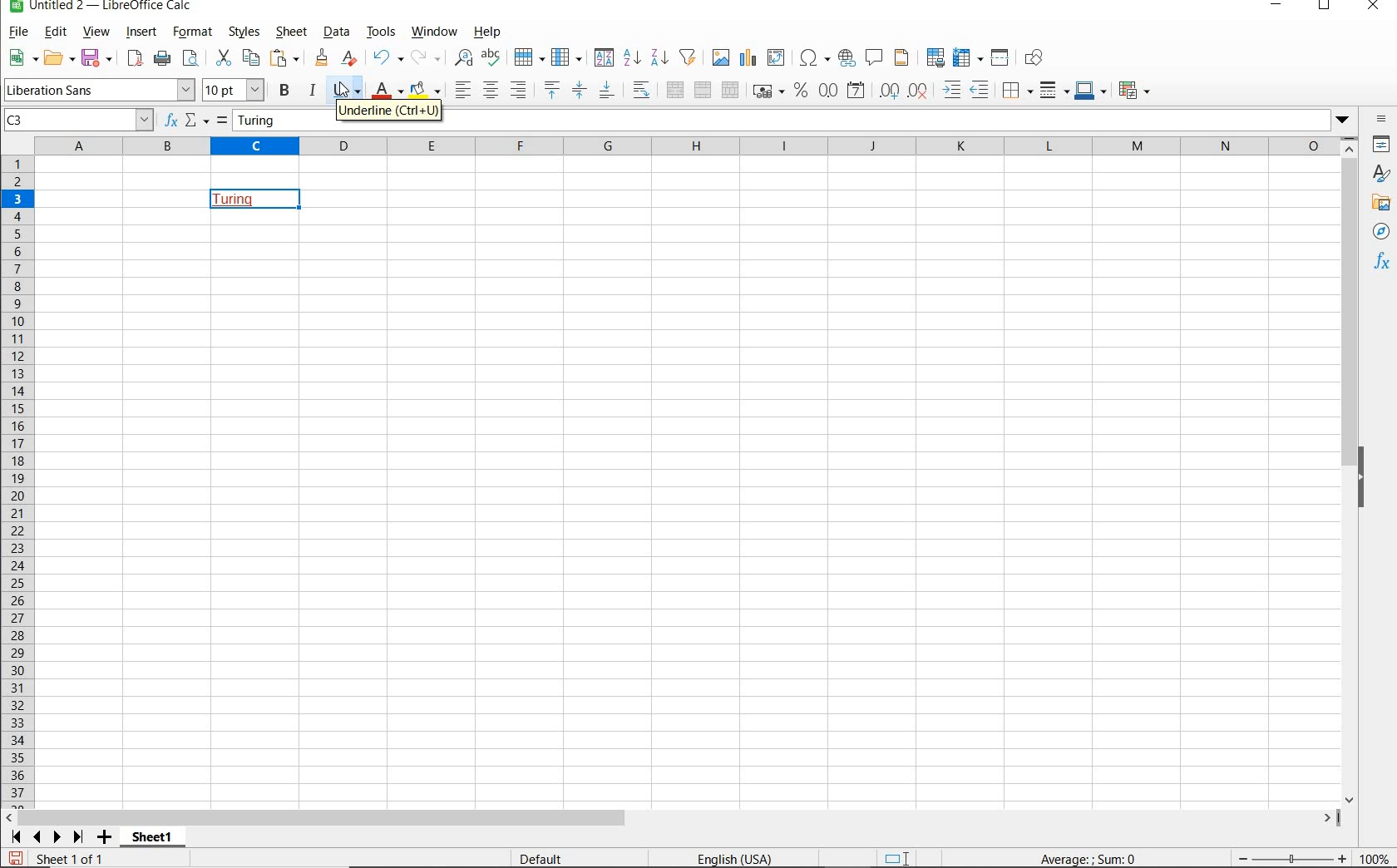 The width and height of the screenshot is (1397, 868). Describe the element at coordinates (676, 90) in the screenshot. I see `MERGE AND CENTER OR UNMERGE` at that location.